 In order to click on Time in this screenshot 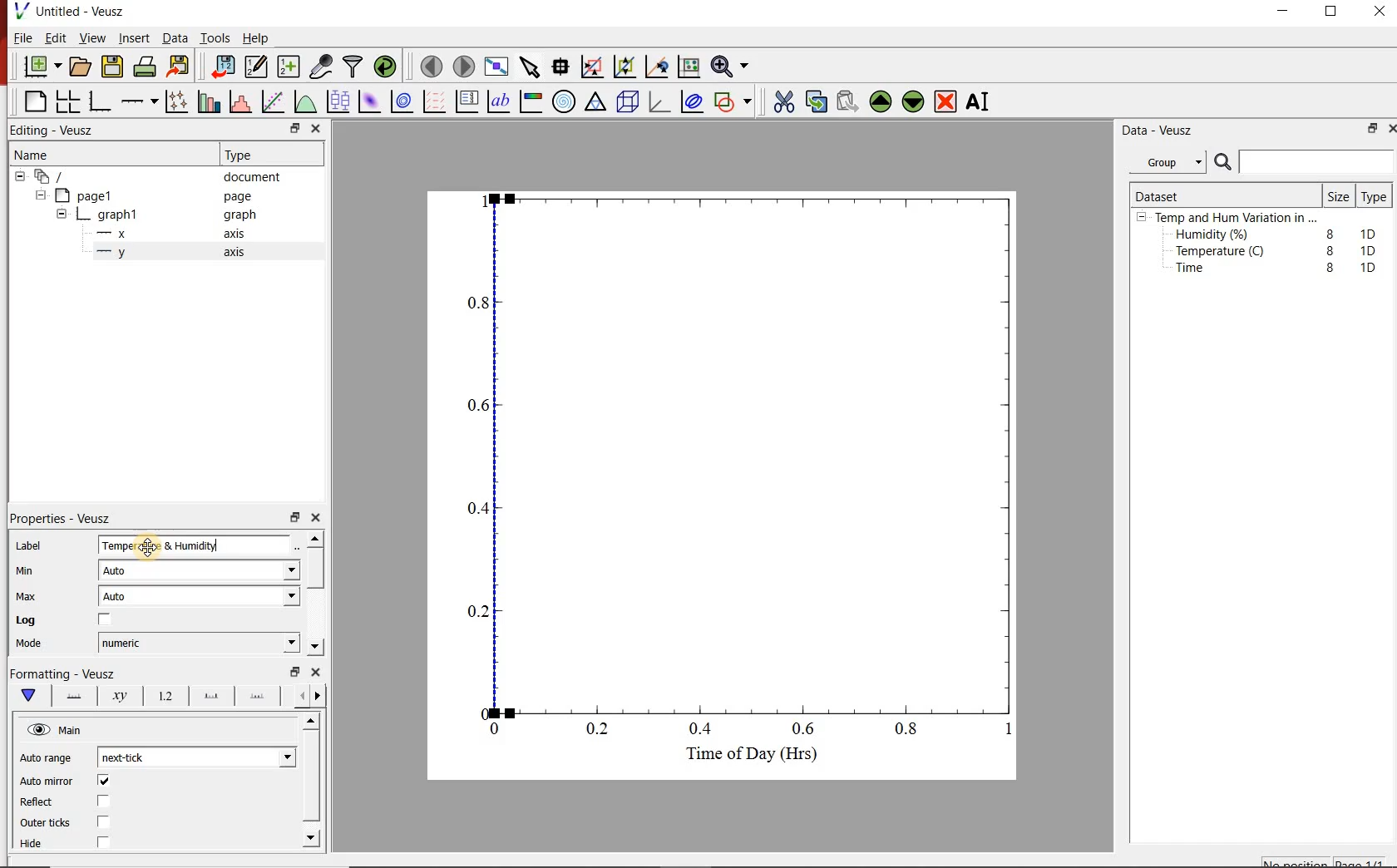, I will do `click(1199, 272)`.